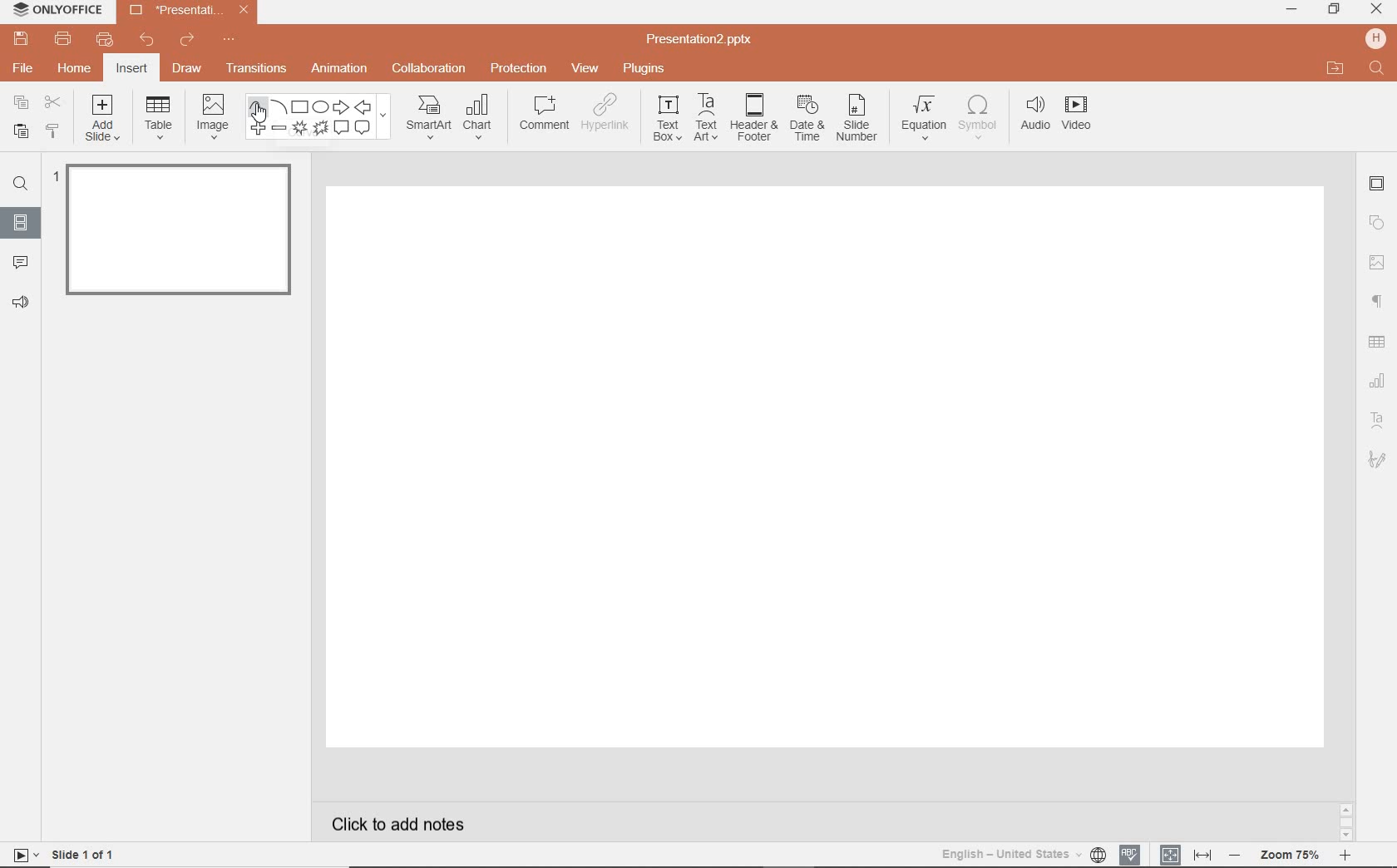 Image resolution: width=1397 pixels, height=868 pixels. What do you see at coordinates (1131, 853) in the screenshot?
I see `SPELL CHECKING` at bounding box center [1131, 853].